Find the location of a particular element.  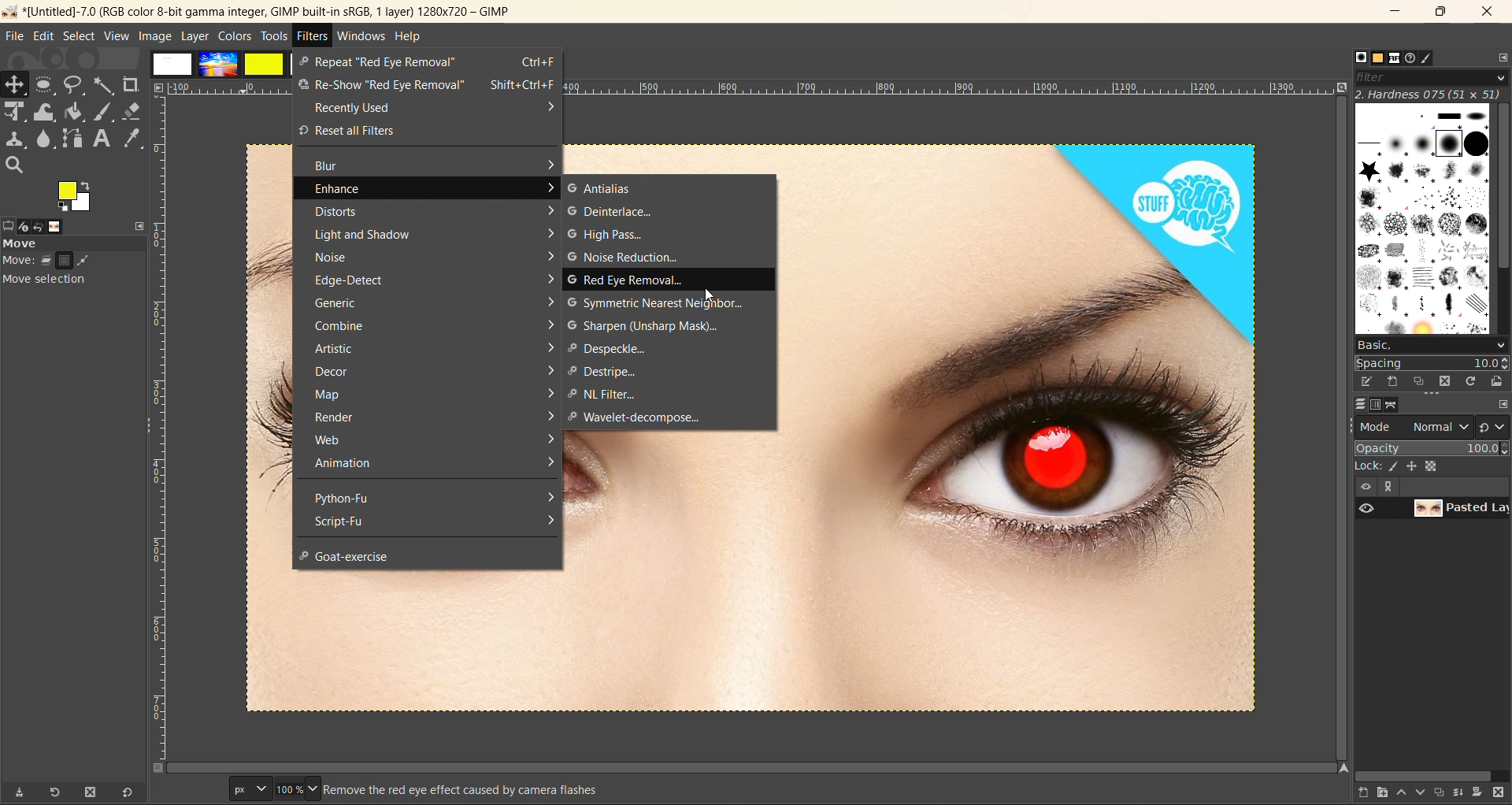

expand is located at coordinates (1392, 487).